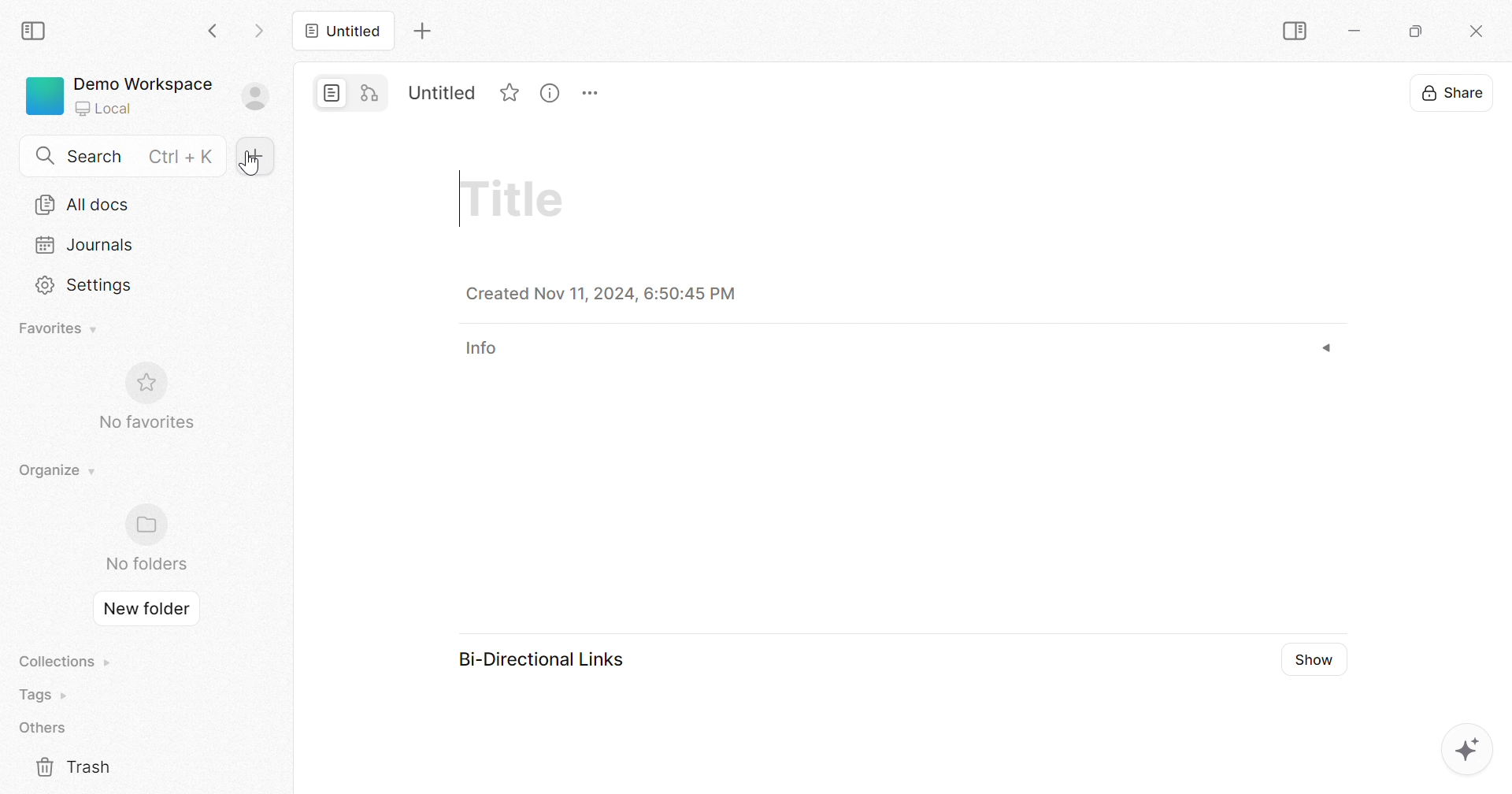  I want to click on Journals, so click(86, 246).